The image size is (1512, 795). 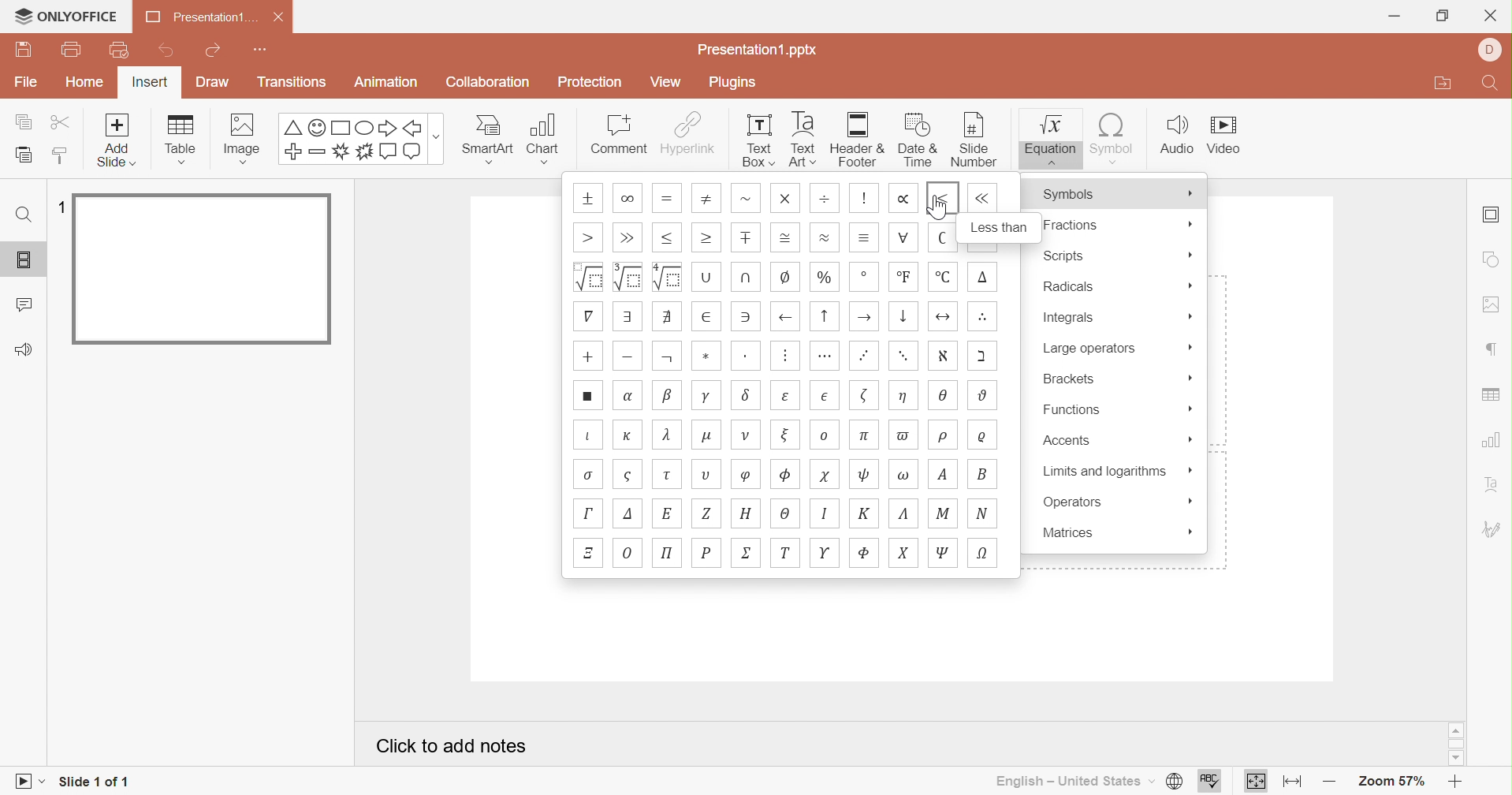 I want to click on Scroll Up, so click(x=1454, y=730).